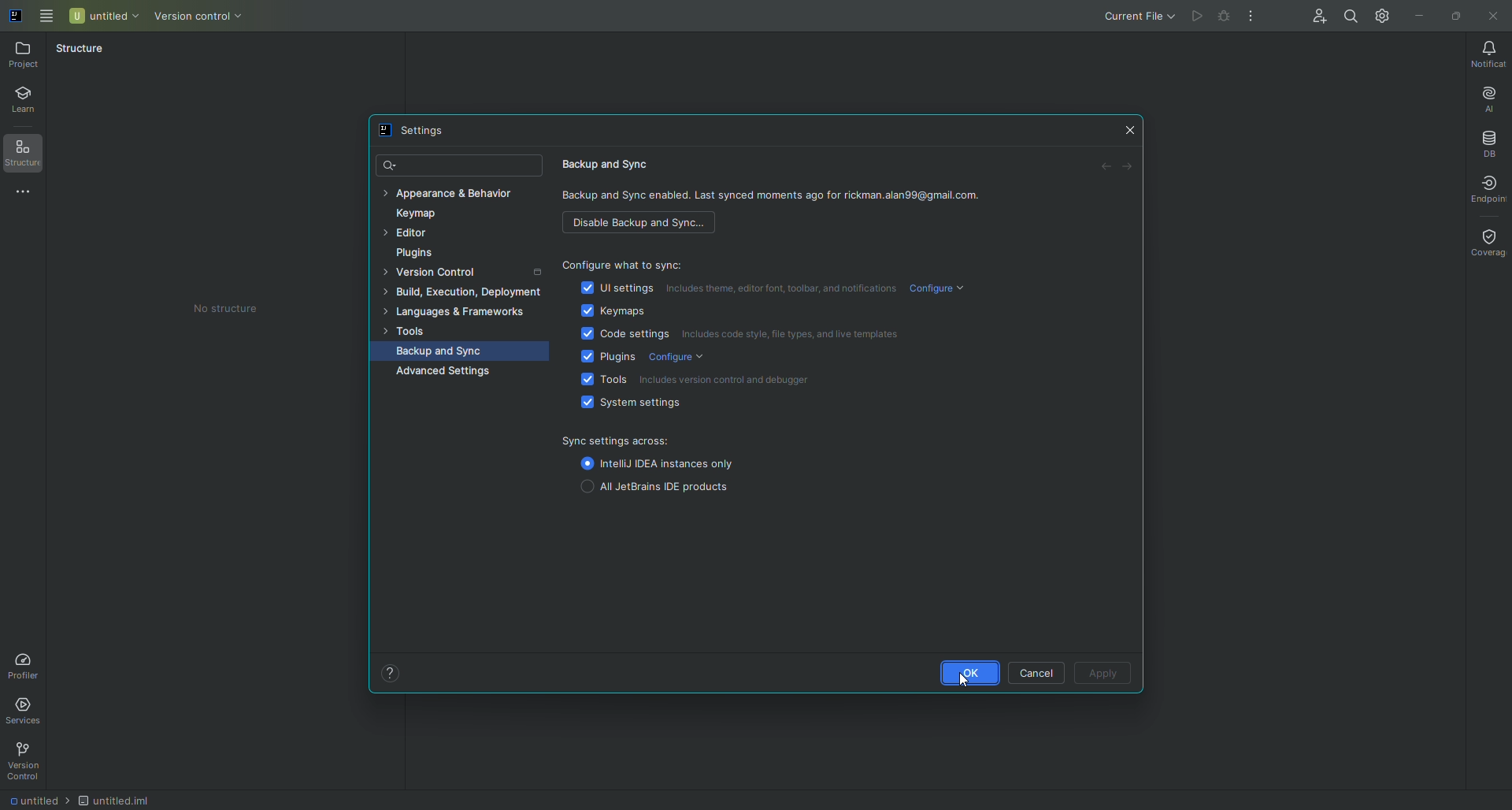 The image size is (1512, 810). Describe the element at coordinates (1252, 17) in the screenshot. I see `More Actions` at that location.